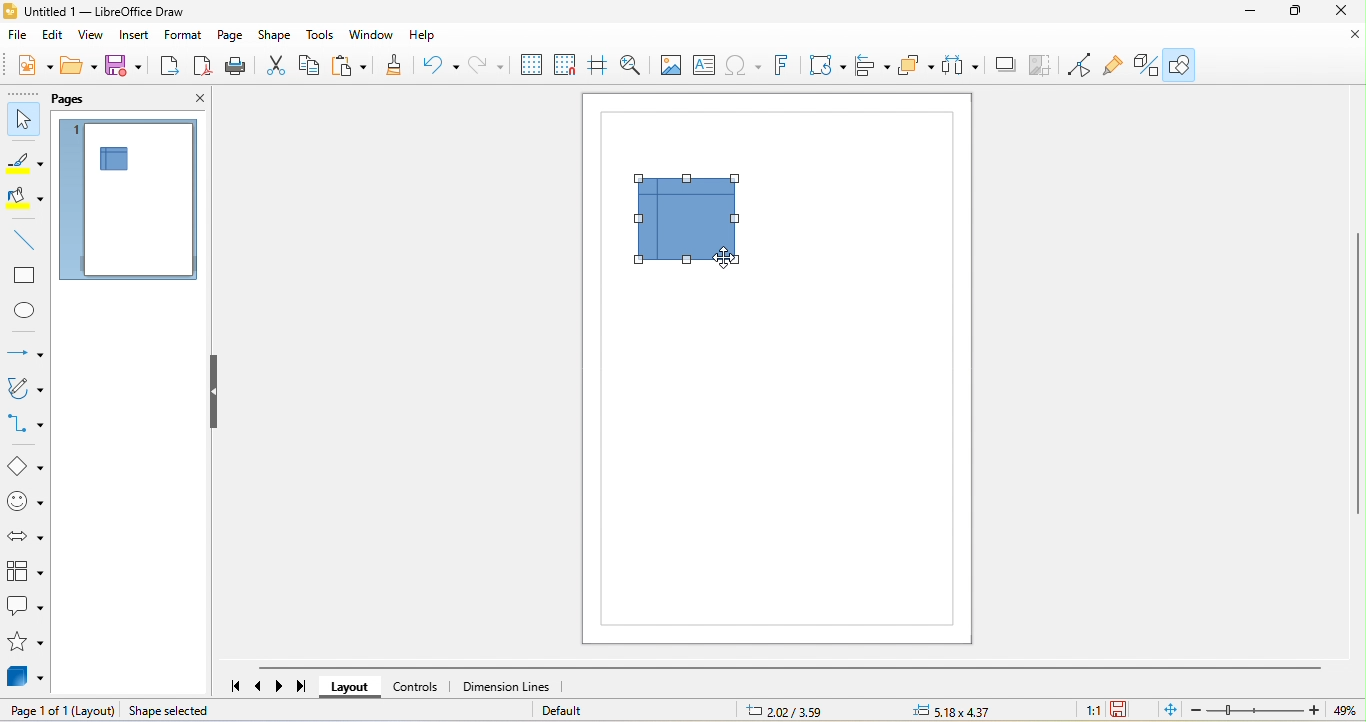  I want to click on vertical scroll bar, so click(1357, 373).